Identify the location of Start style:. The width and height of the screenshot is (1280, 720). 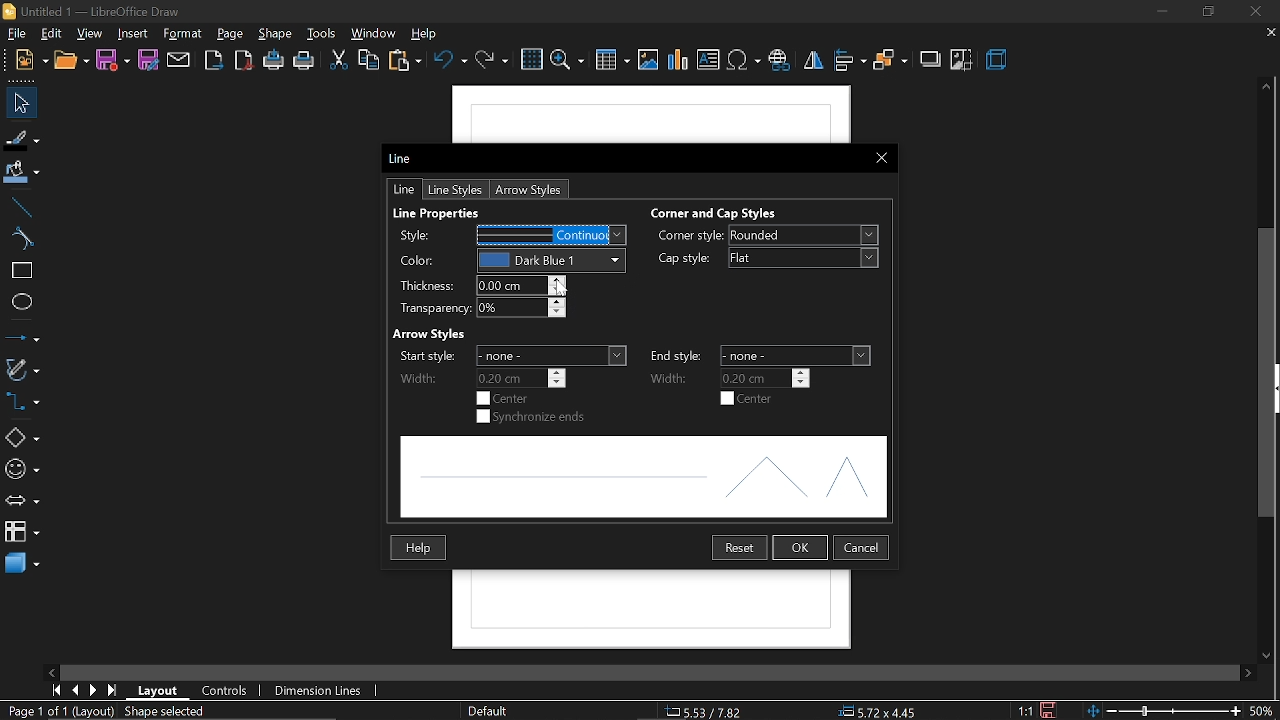
(425, 356).